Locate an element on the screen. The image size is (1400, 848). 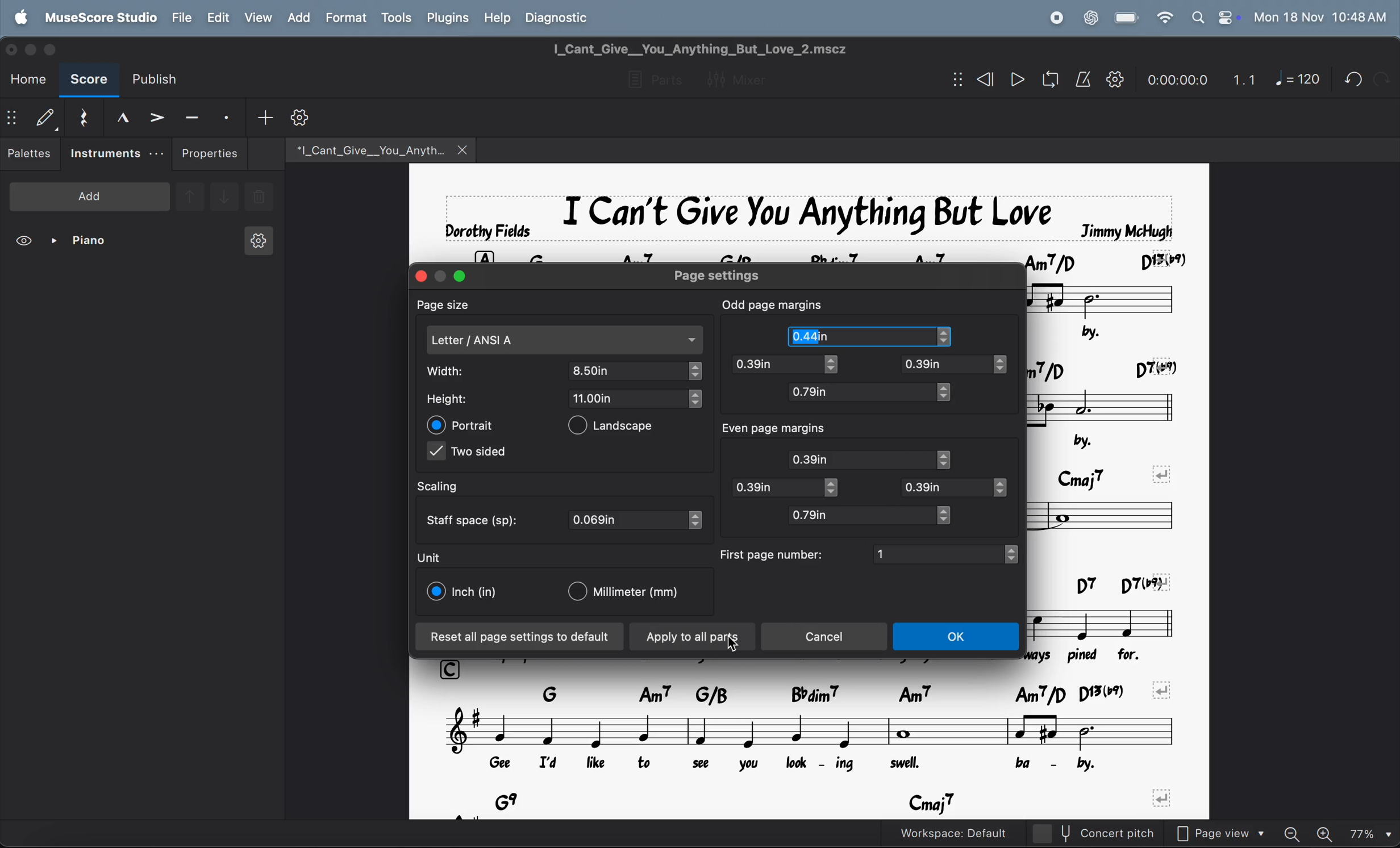
add is located at coordinates (298, 17).